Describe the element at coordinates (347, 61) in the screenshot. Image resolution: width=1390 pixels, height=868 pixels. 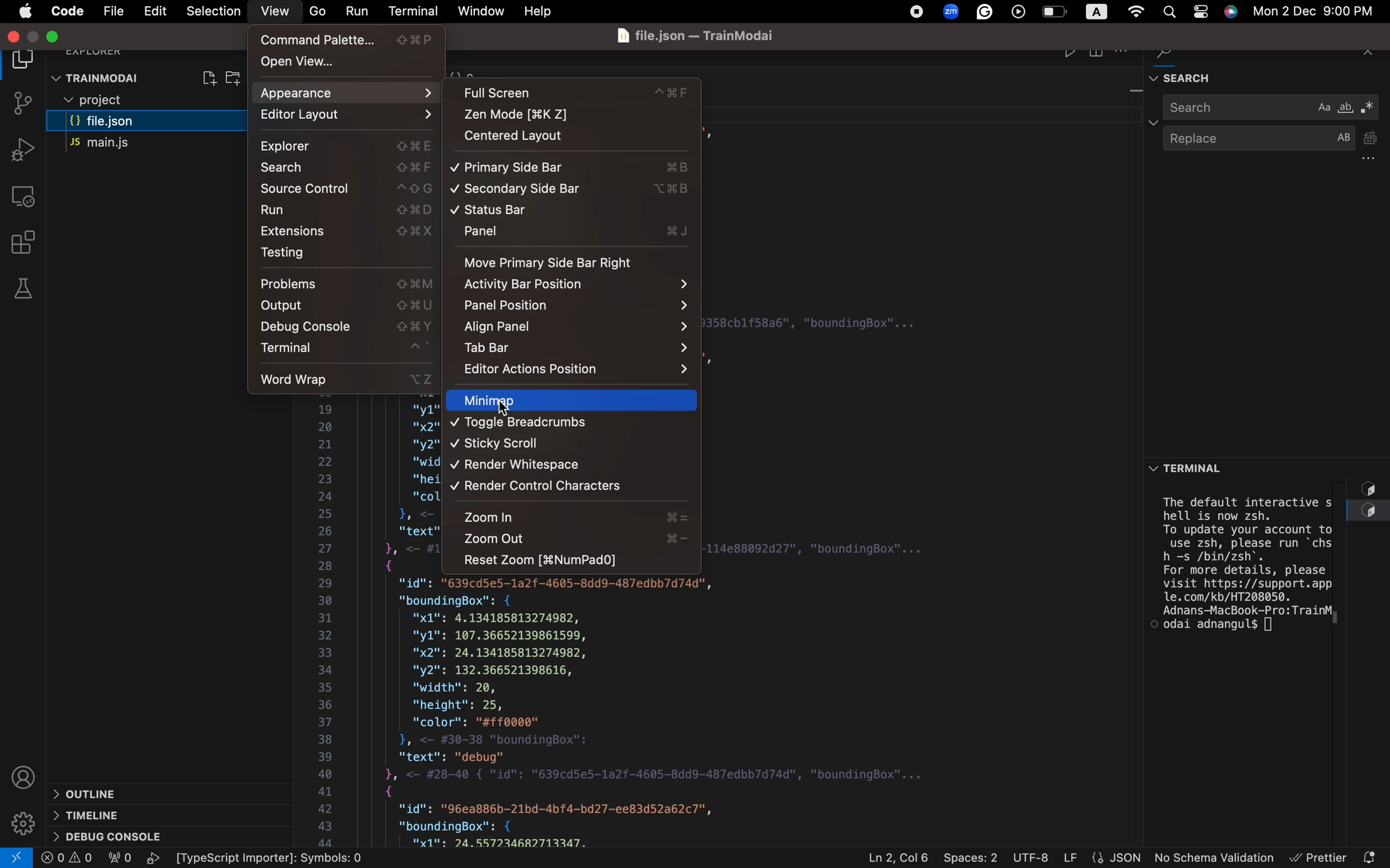
I see `open view` at that location.